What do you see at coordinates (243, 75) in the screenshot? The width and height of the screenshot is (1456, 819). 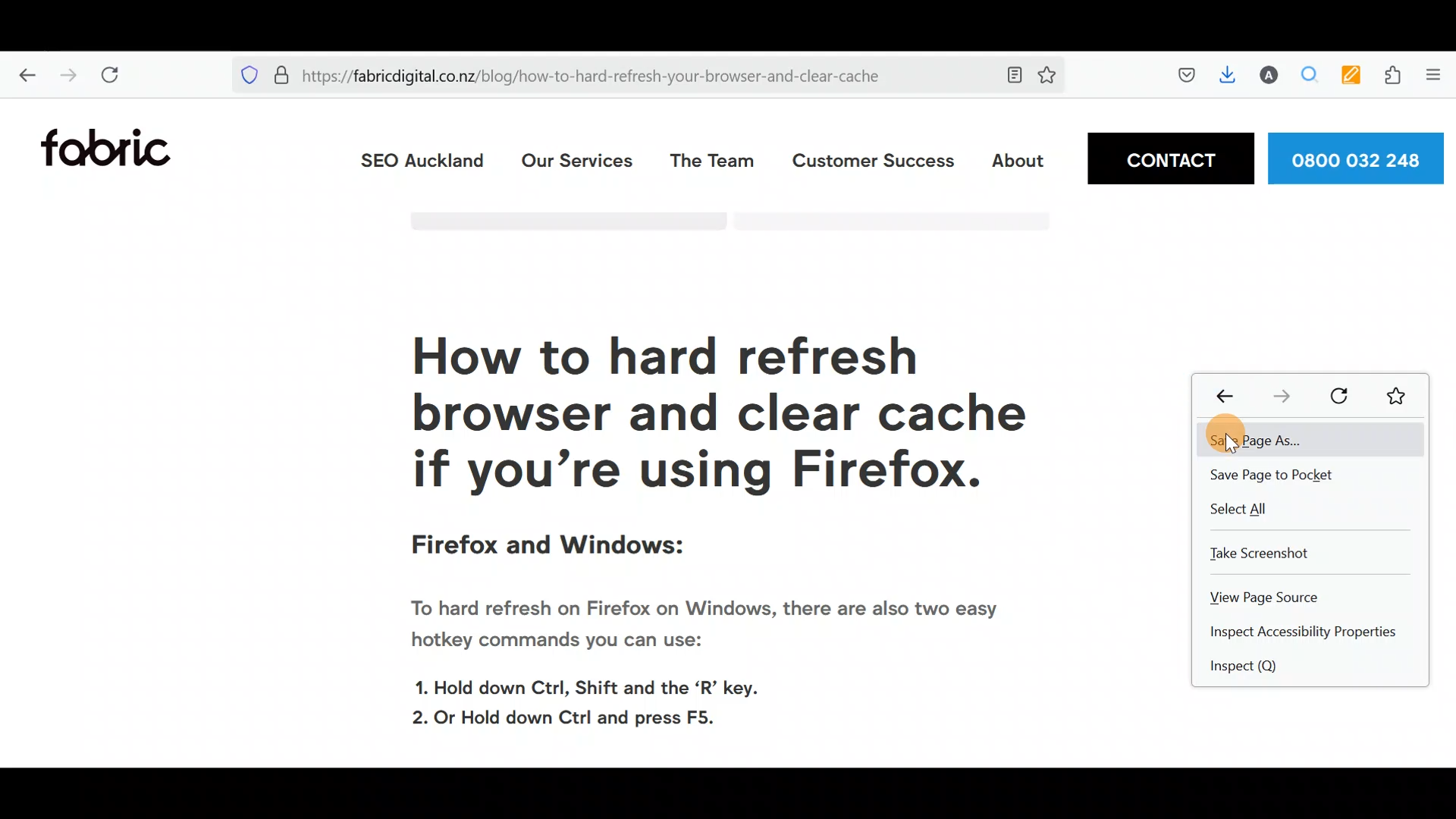 I see `Blocking social media trackers` at bounding box center [243, 75].